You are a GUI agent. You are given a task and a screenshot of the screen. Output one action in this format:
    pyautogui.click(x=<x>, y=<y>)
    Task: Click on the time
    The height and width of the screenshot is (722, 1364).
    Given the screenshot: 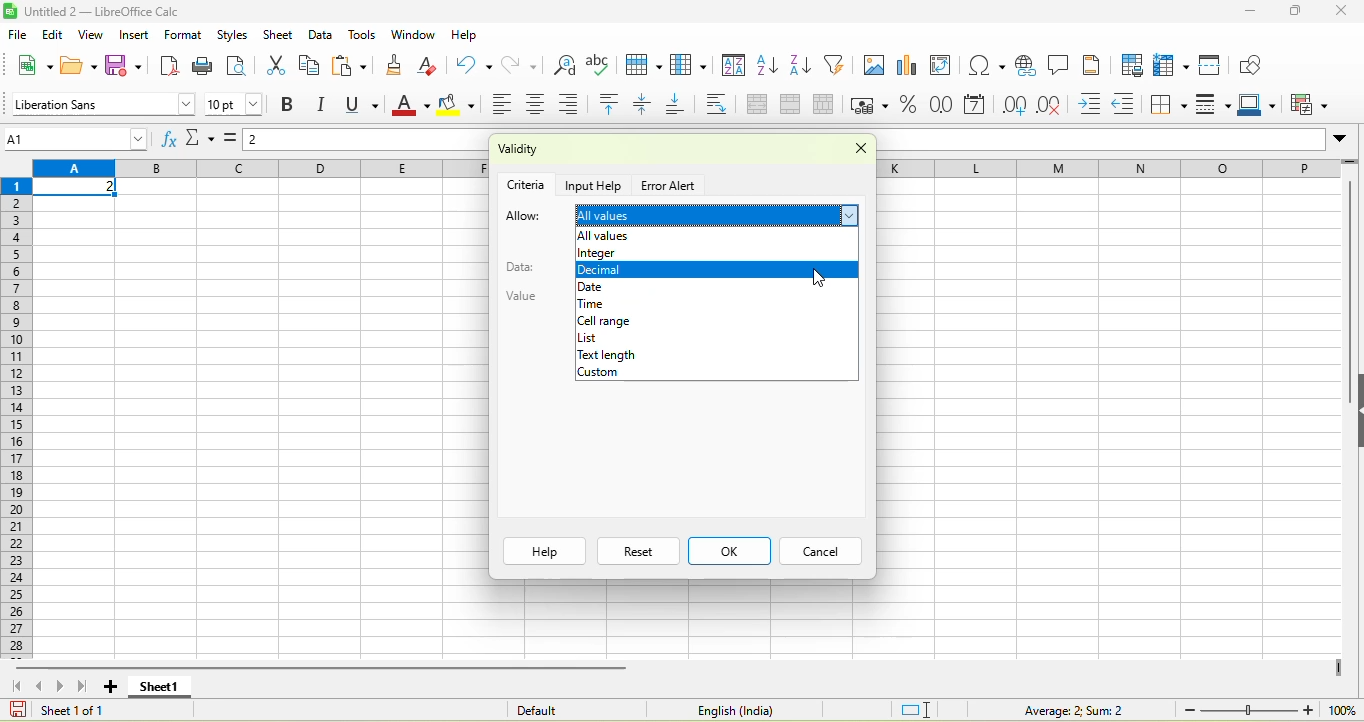 What is the action you would take?
    pyautogui.click(x=716, y=304)
    